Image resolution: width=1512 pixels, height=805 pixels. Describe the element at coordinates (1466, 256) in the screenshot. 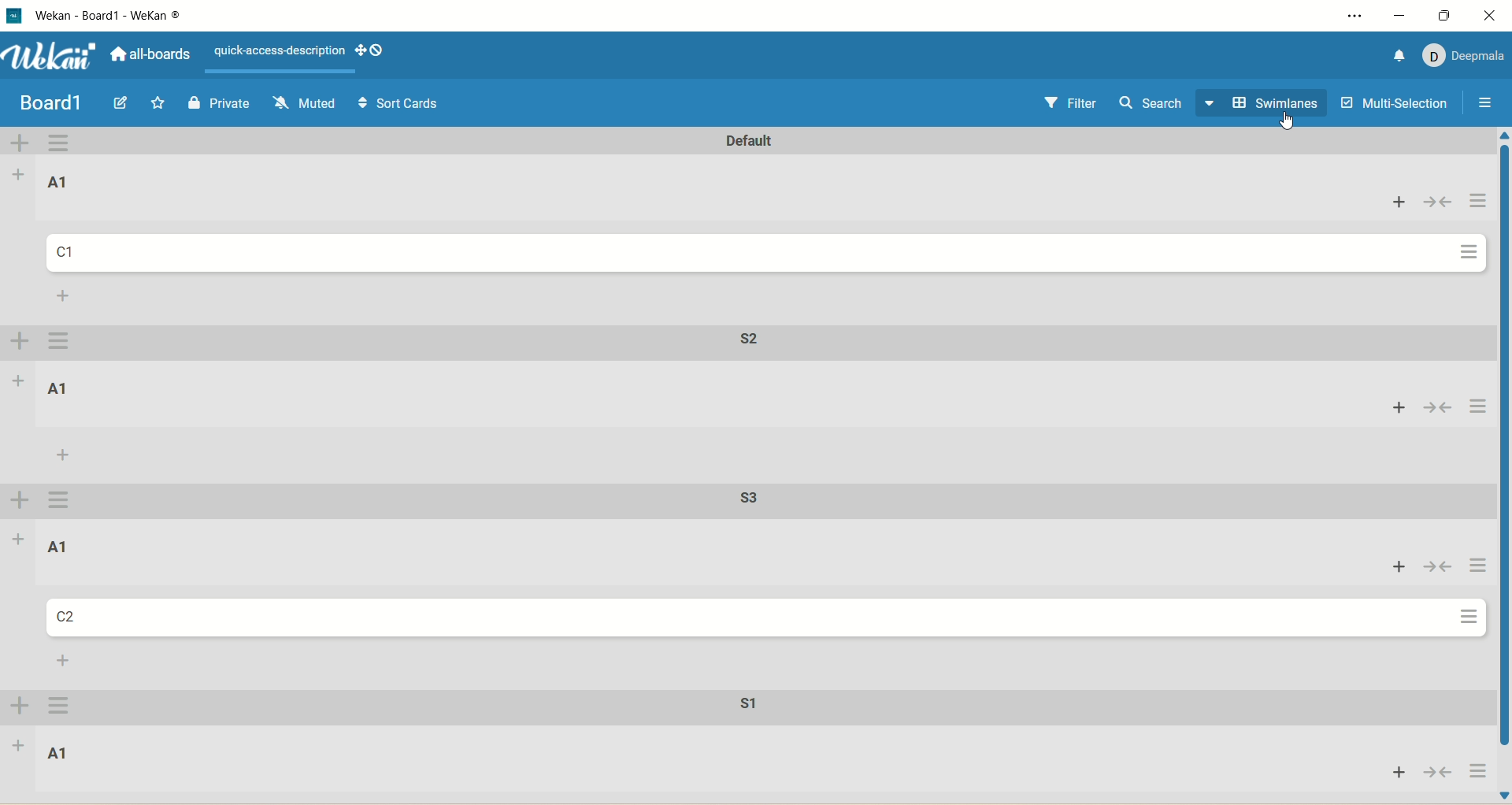

I see `actions` at that location.